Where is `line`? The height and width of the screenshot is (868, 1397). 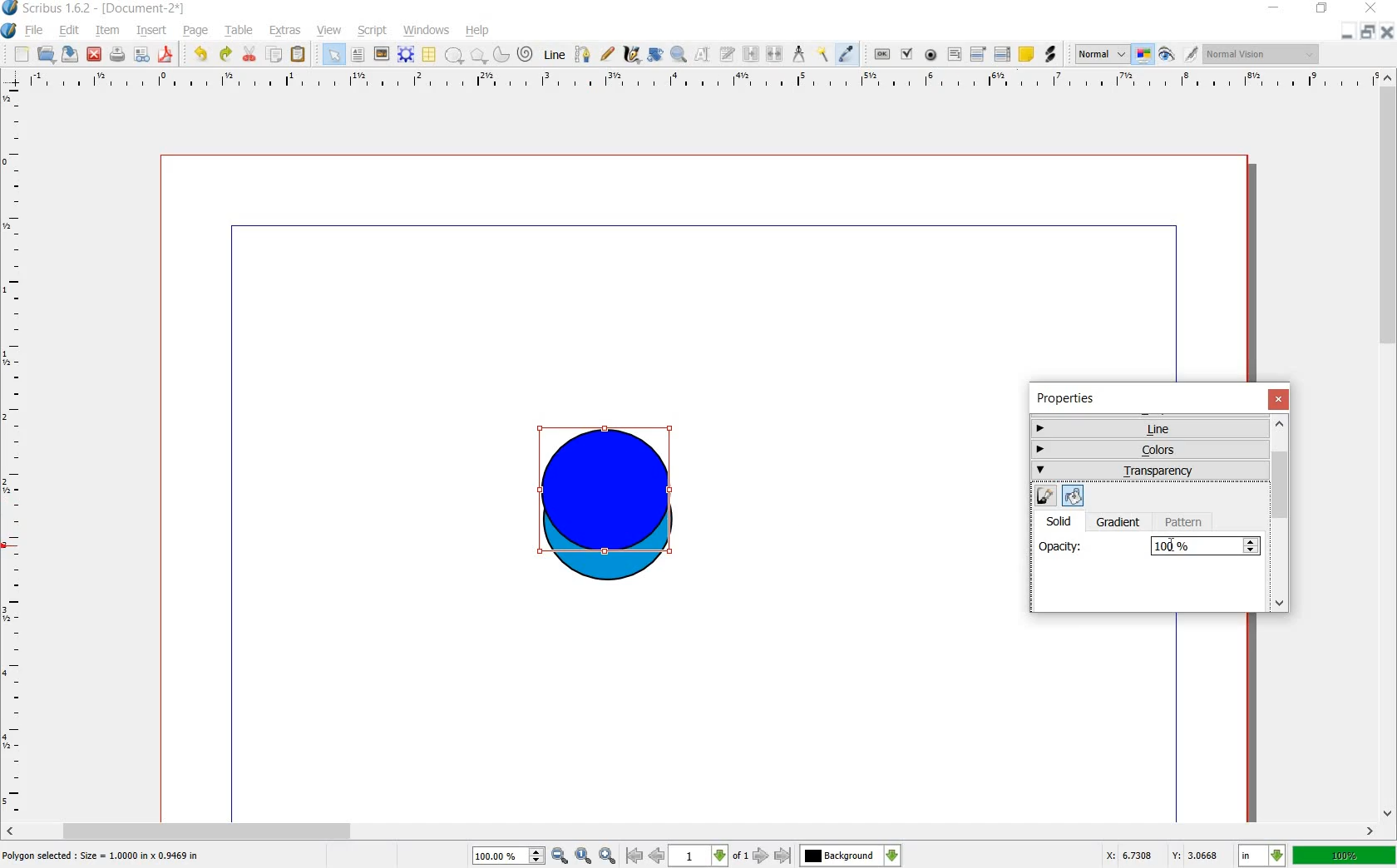
line is located at coordinates (1148, 428).